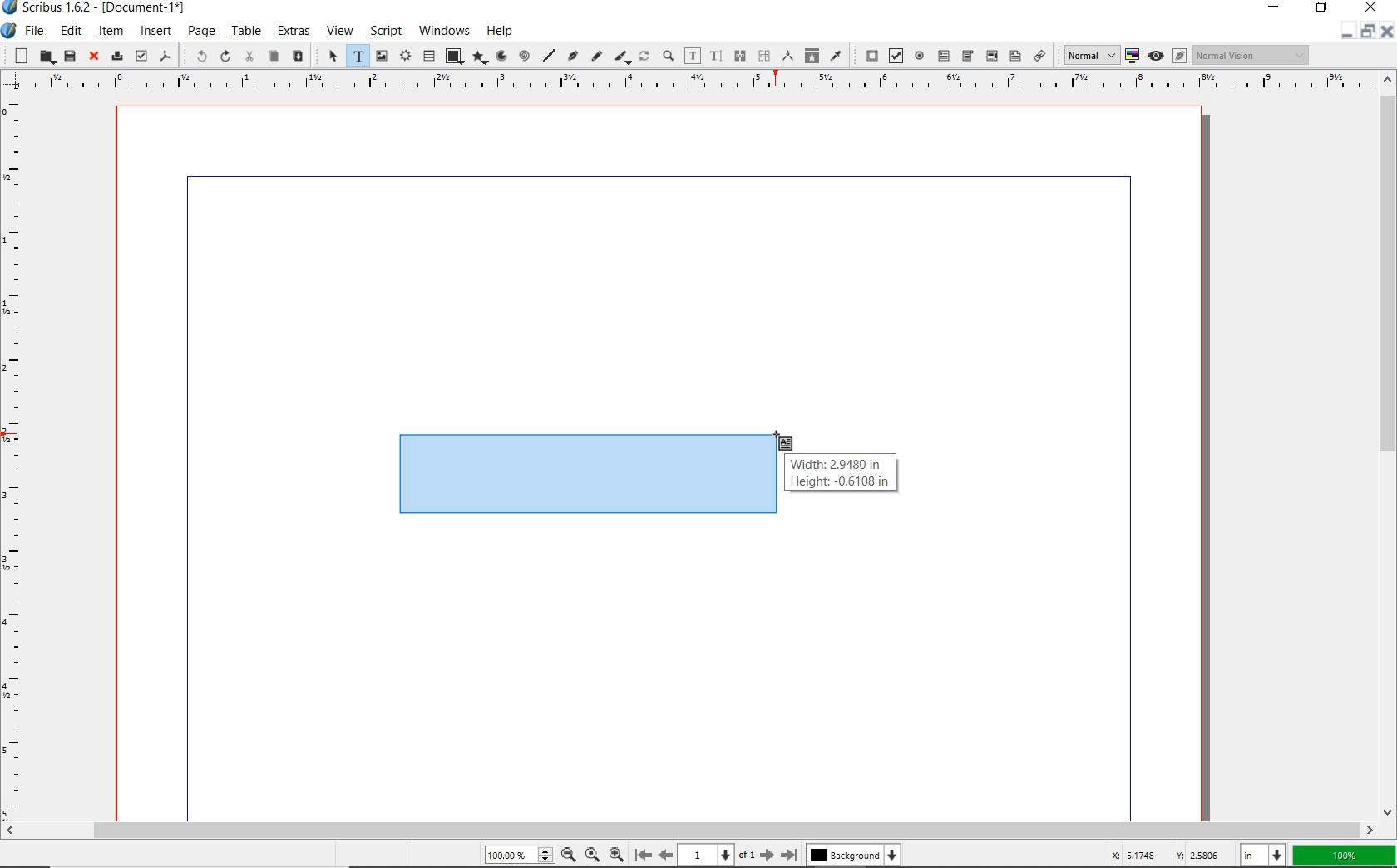 The image size is (1397, 868). What do you see at coordinates (1133, 57) in the screenshot?
I see `toggle color` at bounding box center [1133, 57].